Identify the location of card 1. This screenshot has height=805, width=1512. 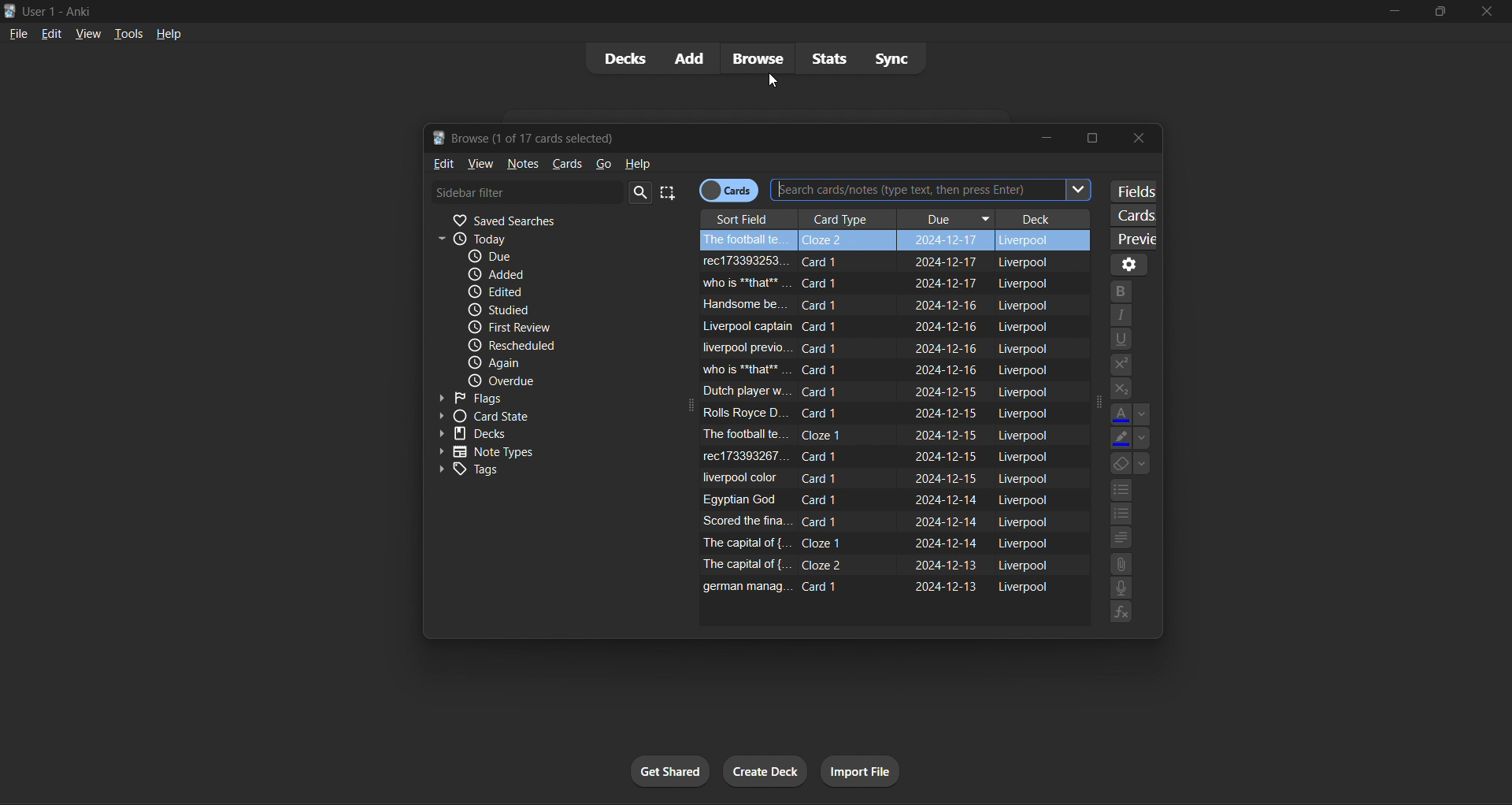
(832, 543).